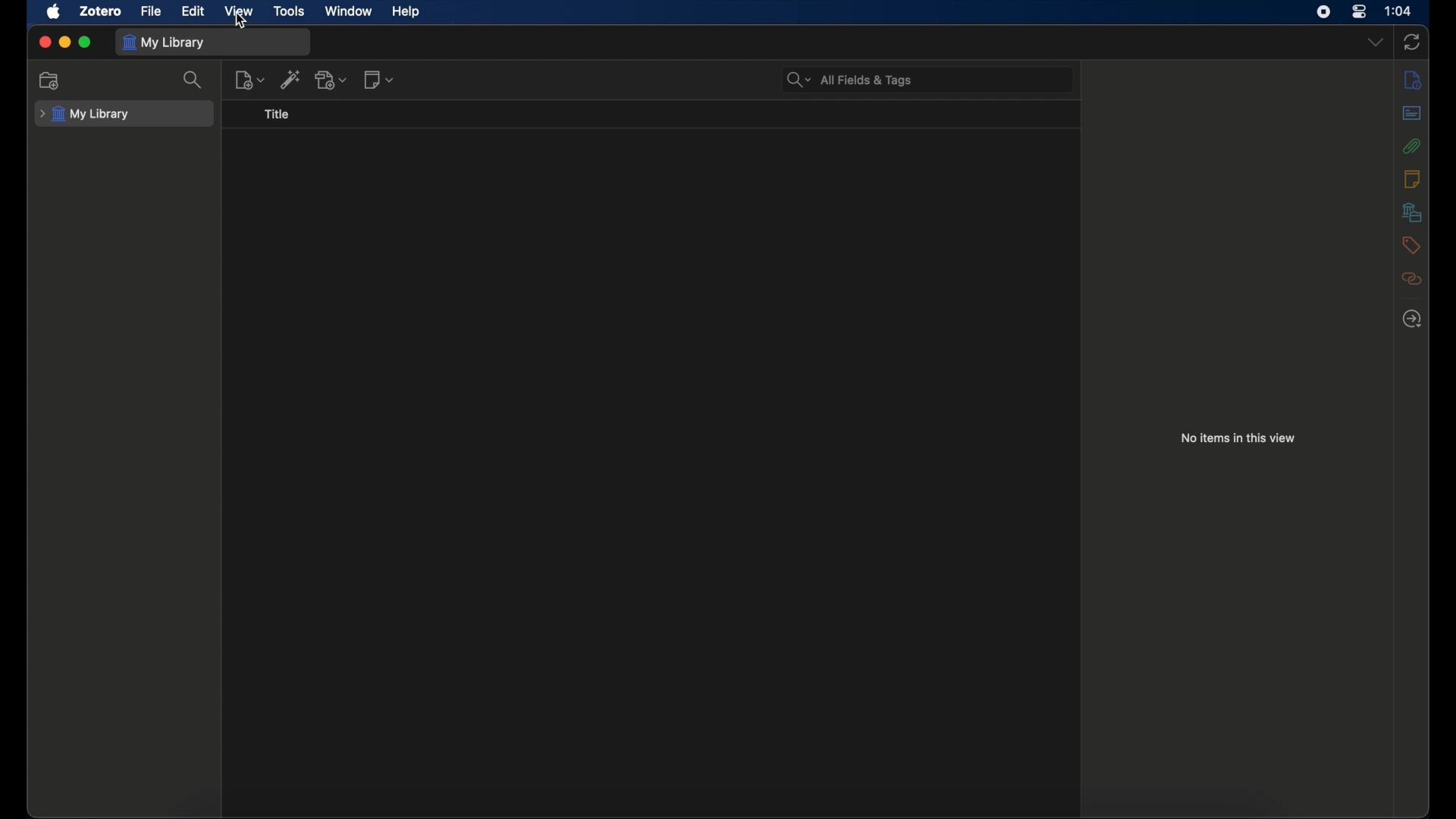  Describe the element at coordinates (1412, 318) in the screenshot. I see `locate` at that location.